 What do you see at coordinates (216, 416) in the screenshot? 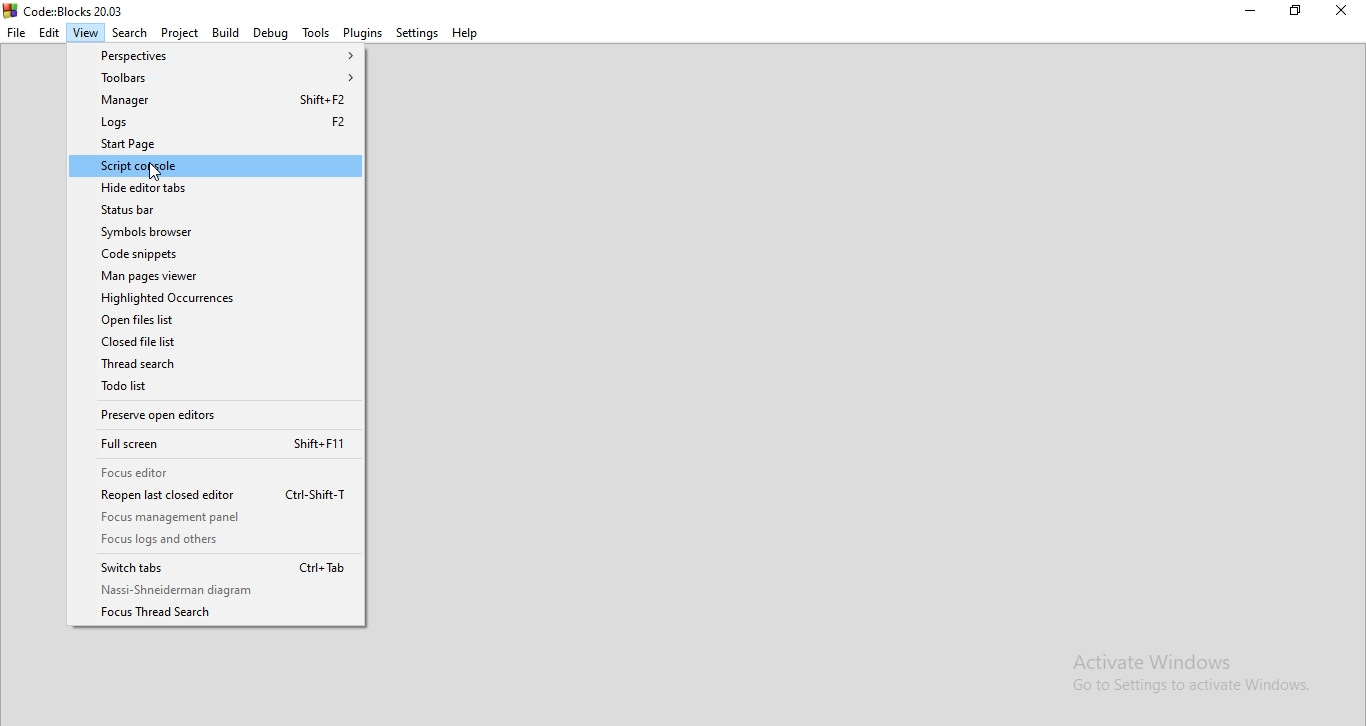
I see `Preserve open editors` at bounding box center [216, 416].